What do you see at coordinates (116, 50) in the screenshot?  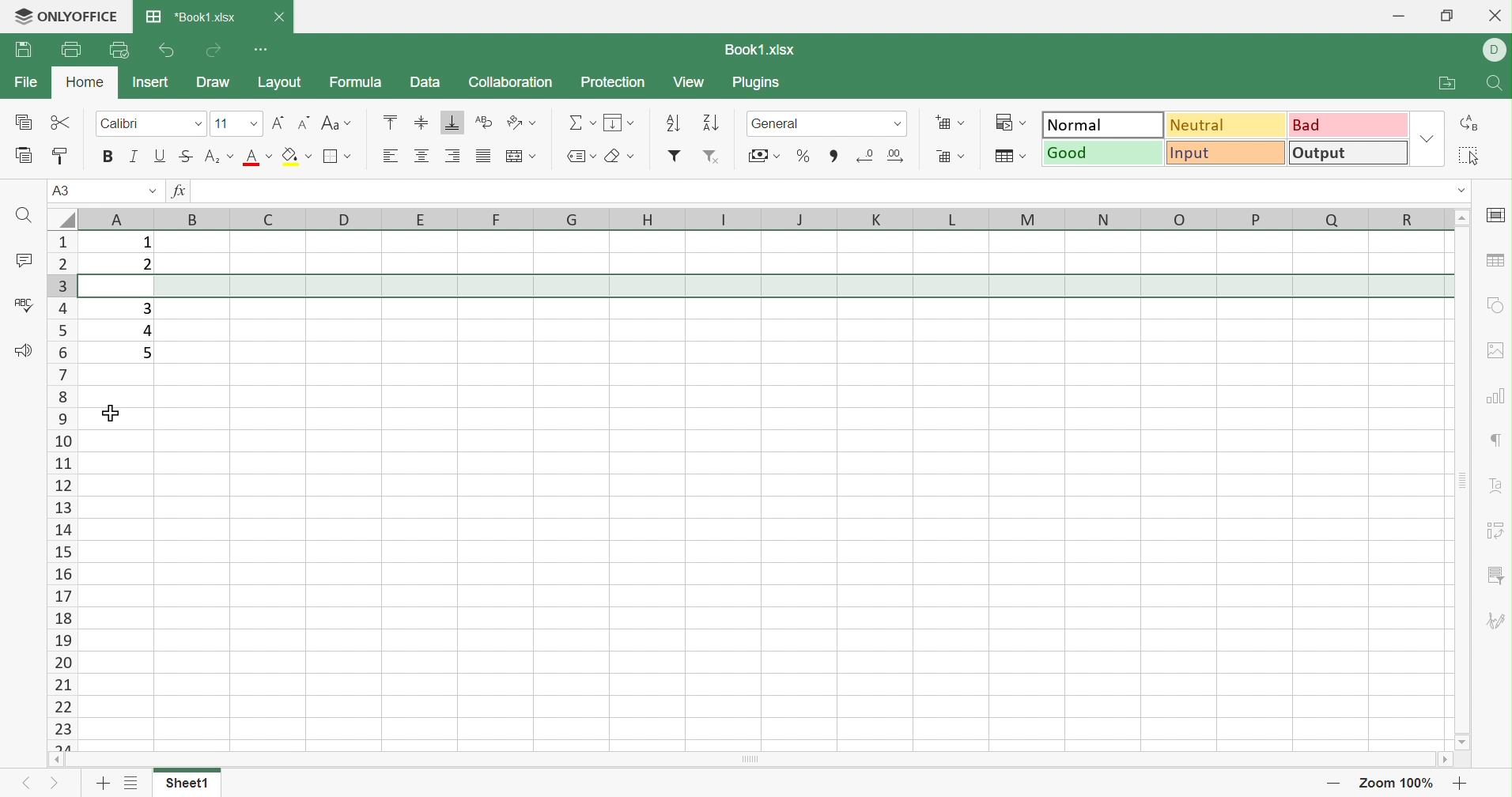 I see `Quick Print` at bounding box center [116, 50].